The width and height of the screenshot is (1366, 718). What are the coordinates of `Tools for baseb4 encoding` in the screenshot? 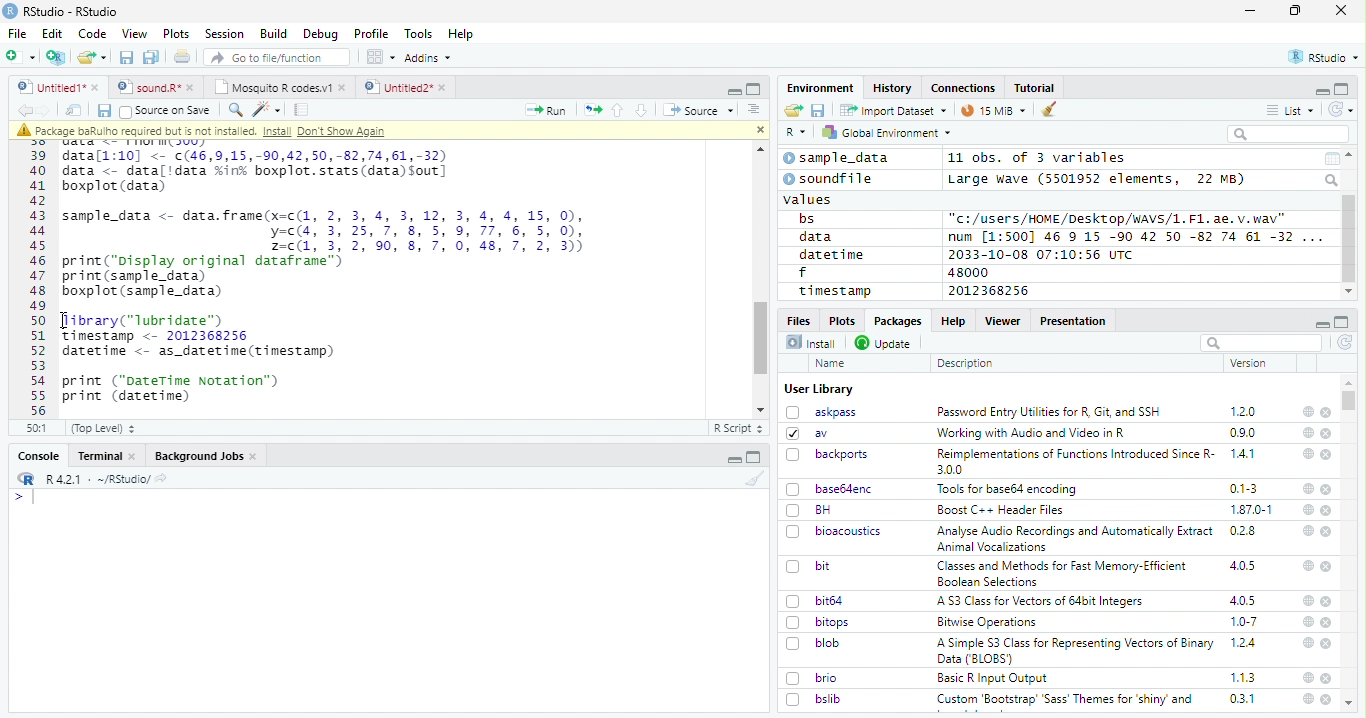 It's located at (1009, 489).